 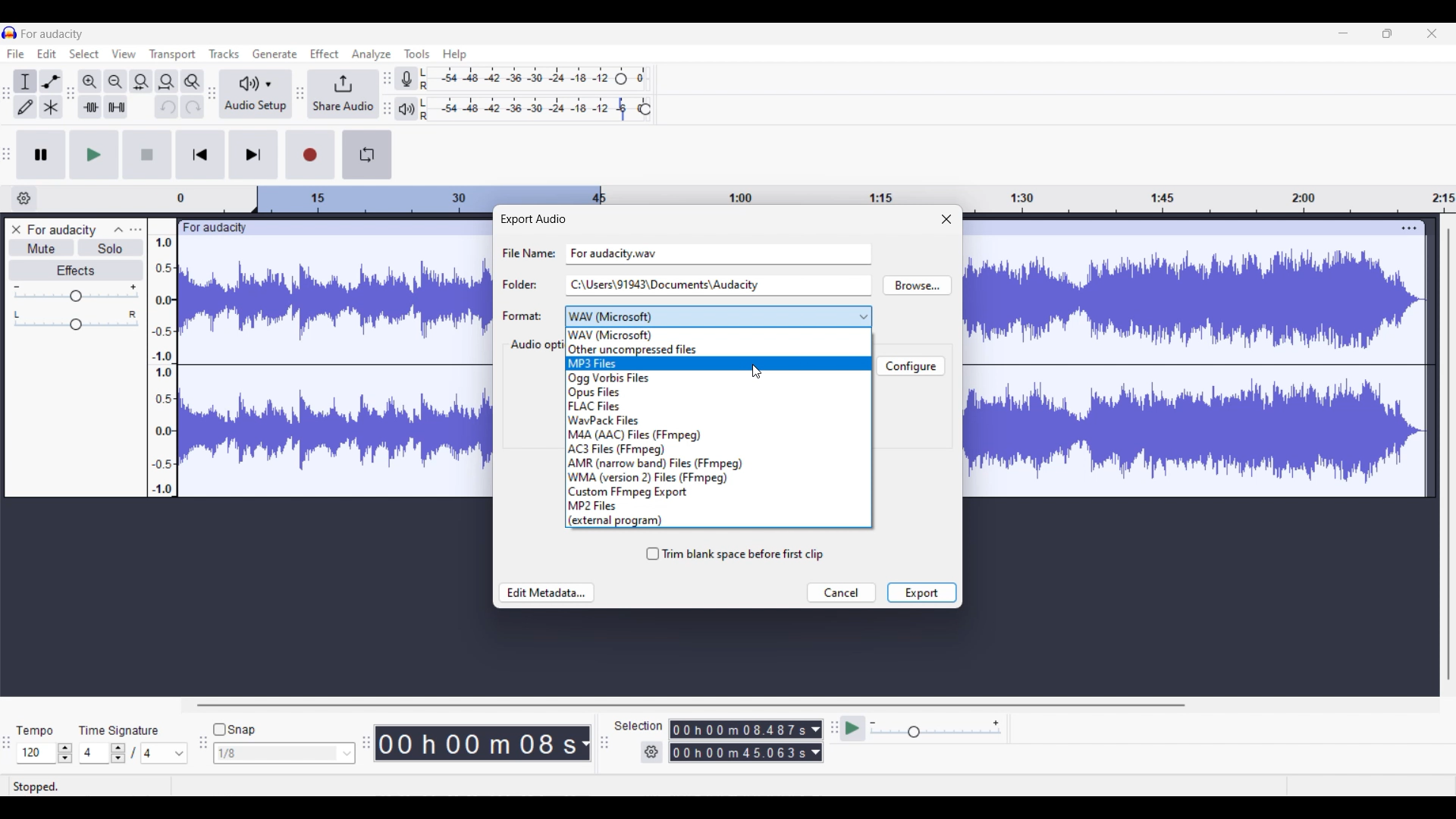 I want to click on Playback level, so click(x=526, y=109).